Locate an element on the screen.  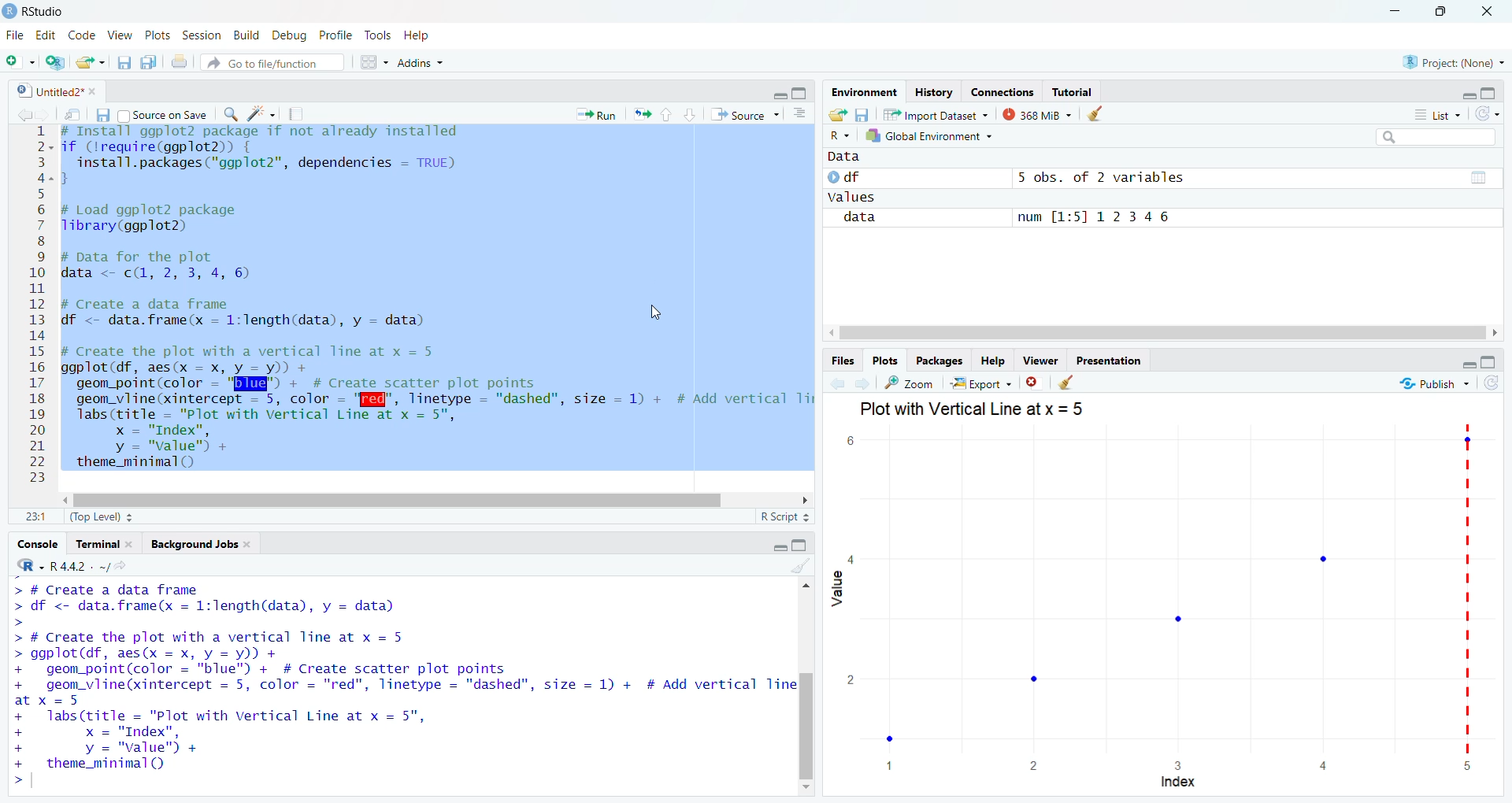
“* Source ~ is located at coordinates (750, 115).